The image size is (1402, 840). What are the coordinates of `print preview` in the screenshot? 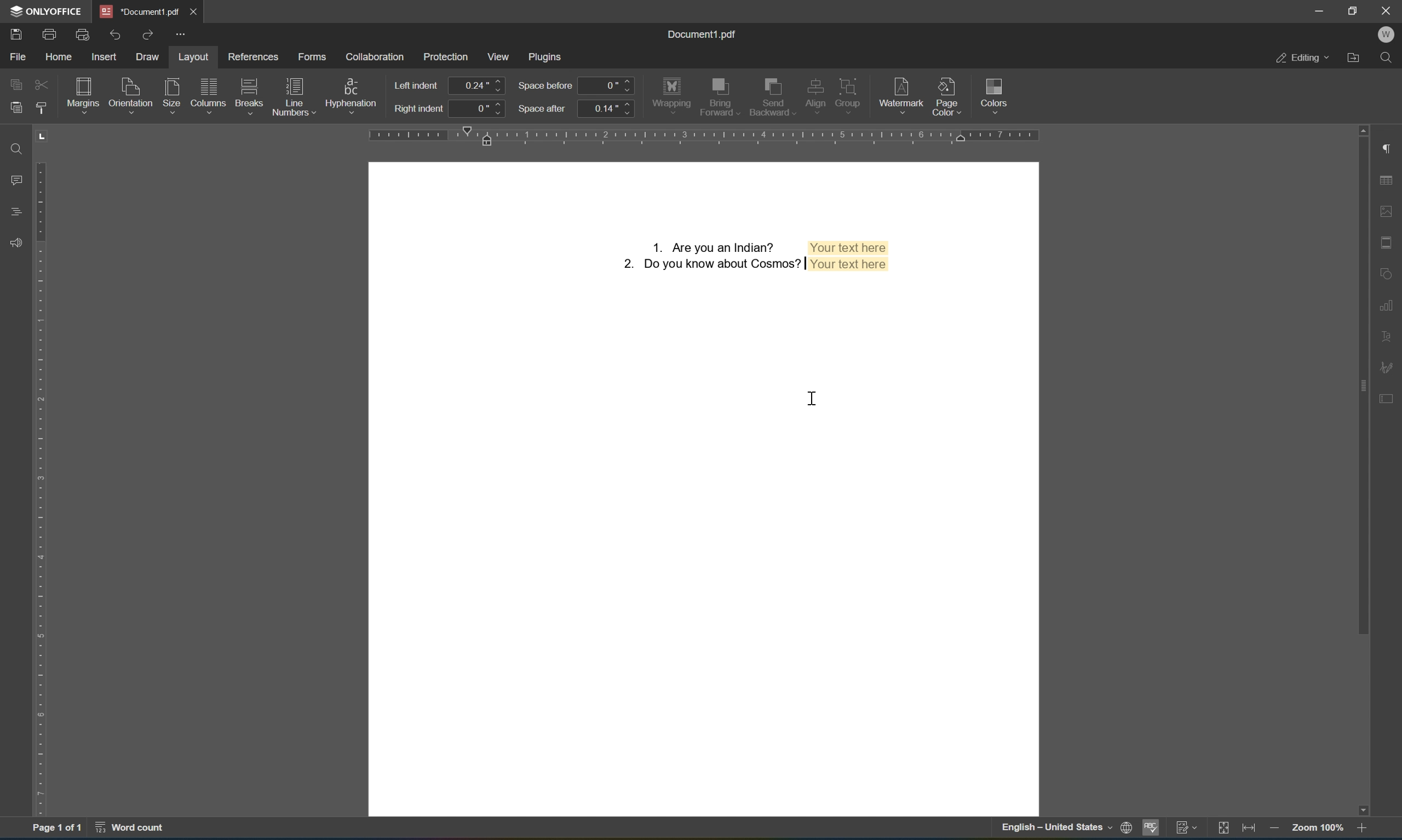 It's located at (85, 35).